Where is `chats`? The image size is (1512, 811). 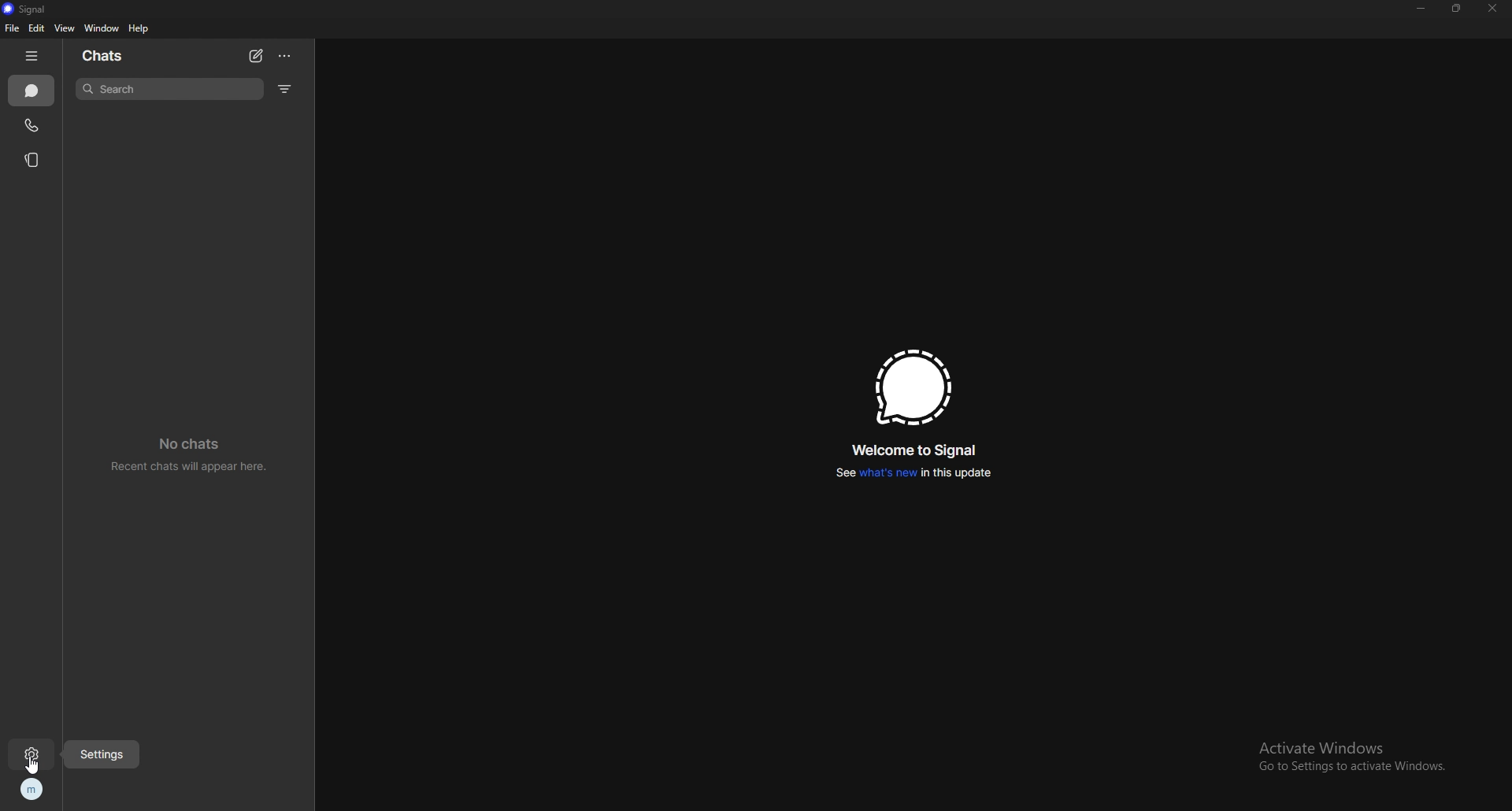
chats is located at coordinates (31, 91).